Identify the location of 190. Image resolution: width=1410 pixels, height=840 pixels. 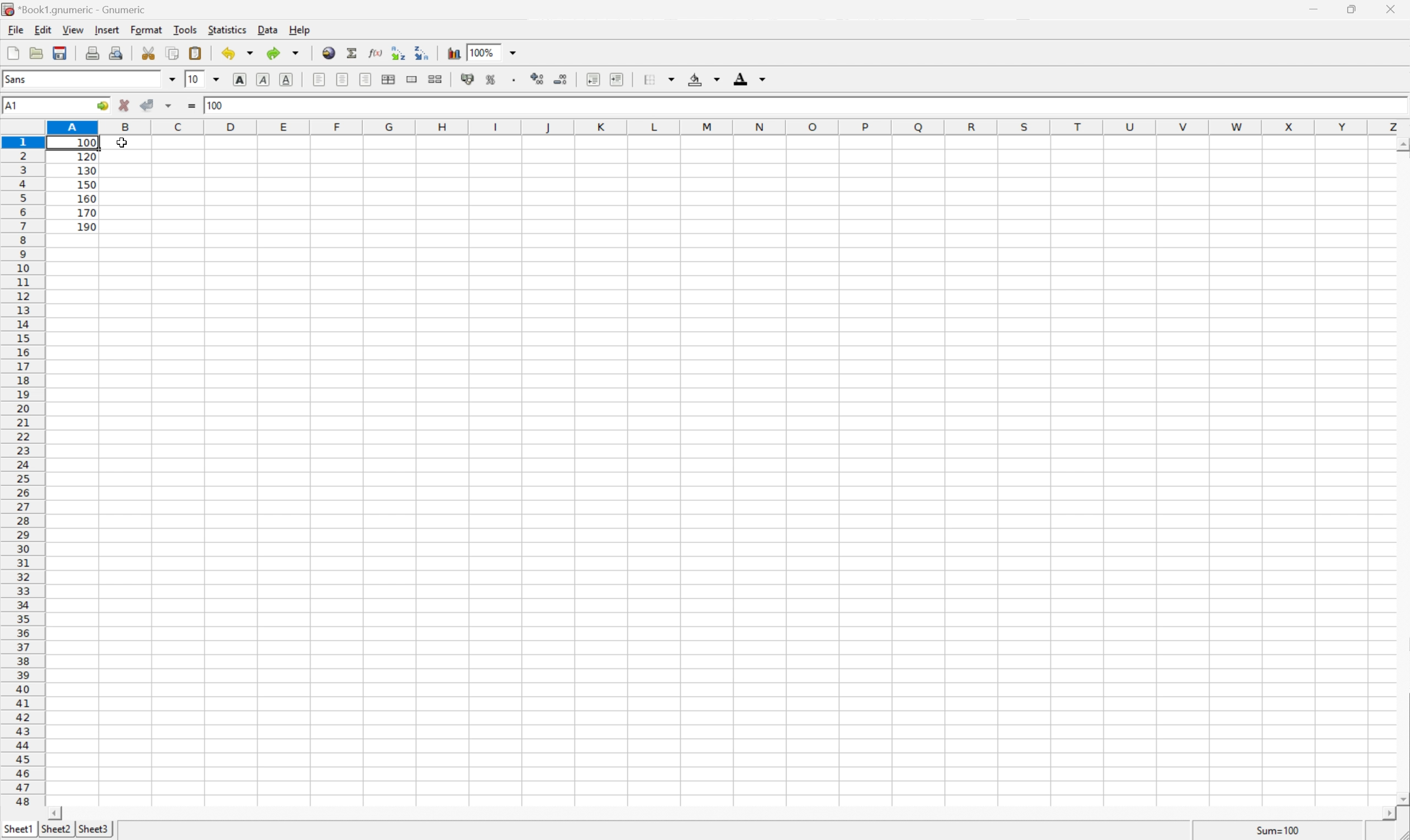
(87, 226).